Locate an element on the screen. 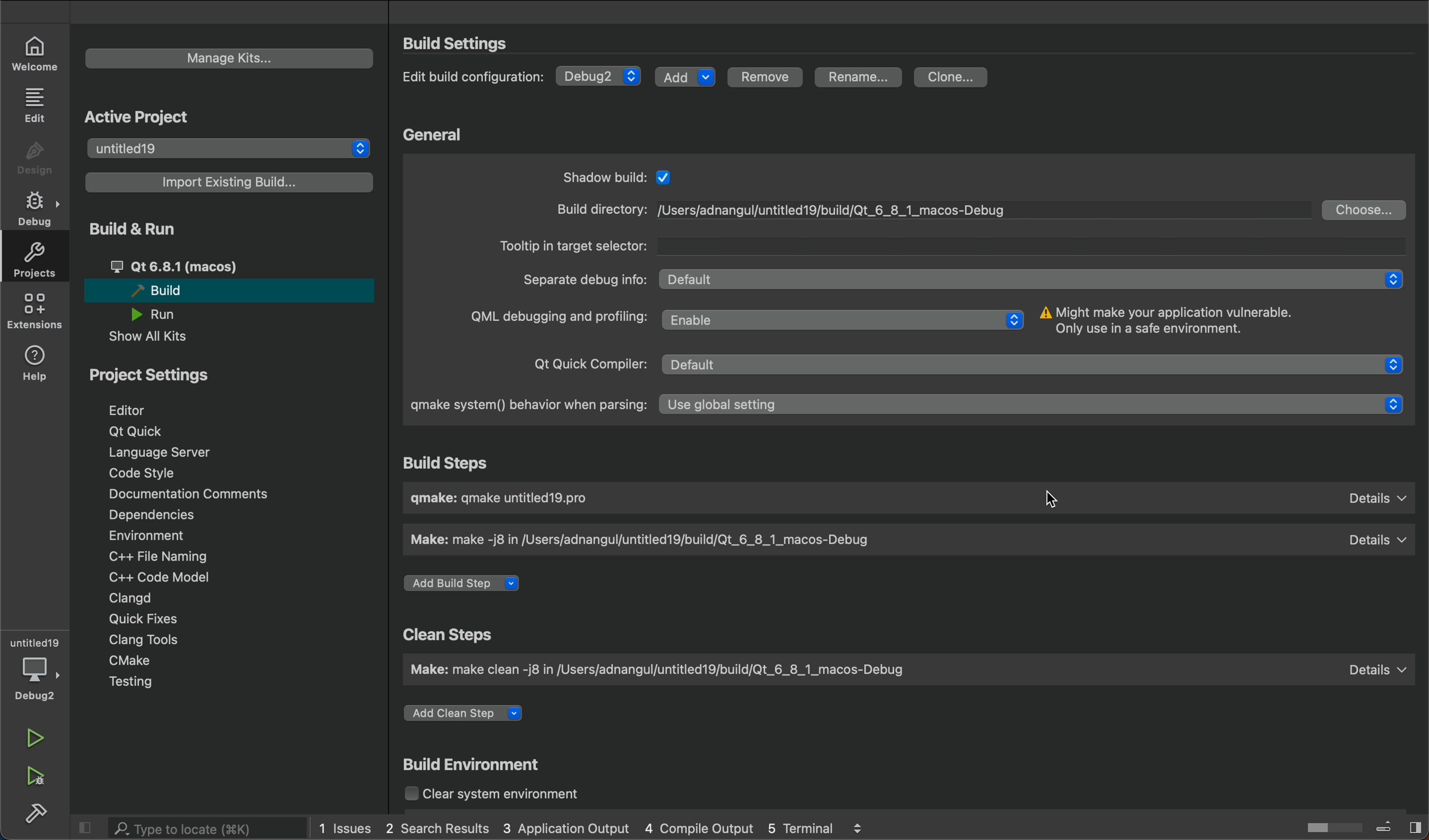 The height and width of the screenshot is (840, 1429). qt quick is located at coordinates (590, 360).